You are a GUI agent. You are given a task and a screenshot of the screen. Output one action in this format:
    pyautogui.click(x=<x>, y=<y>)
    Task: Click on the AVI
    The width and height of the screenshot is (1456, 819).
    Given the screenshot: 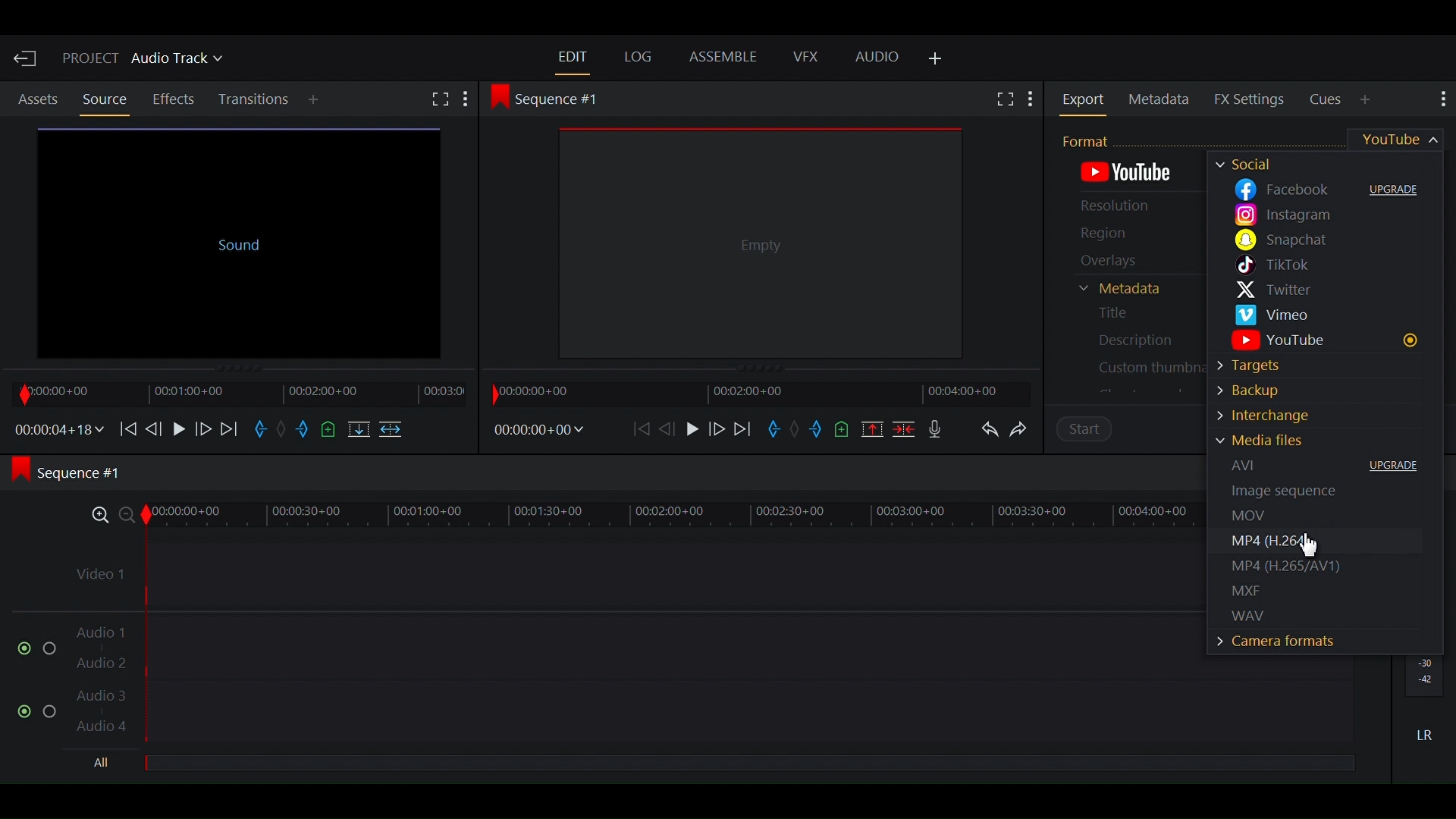 What is the action you would take?
    pyautogui.click(x=1285, y=469)
    